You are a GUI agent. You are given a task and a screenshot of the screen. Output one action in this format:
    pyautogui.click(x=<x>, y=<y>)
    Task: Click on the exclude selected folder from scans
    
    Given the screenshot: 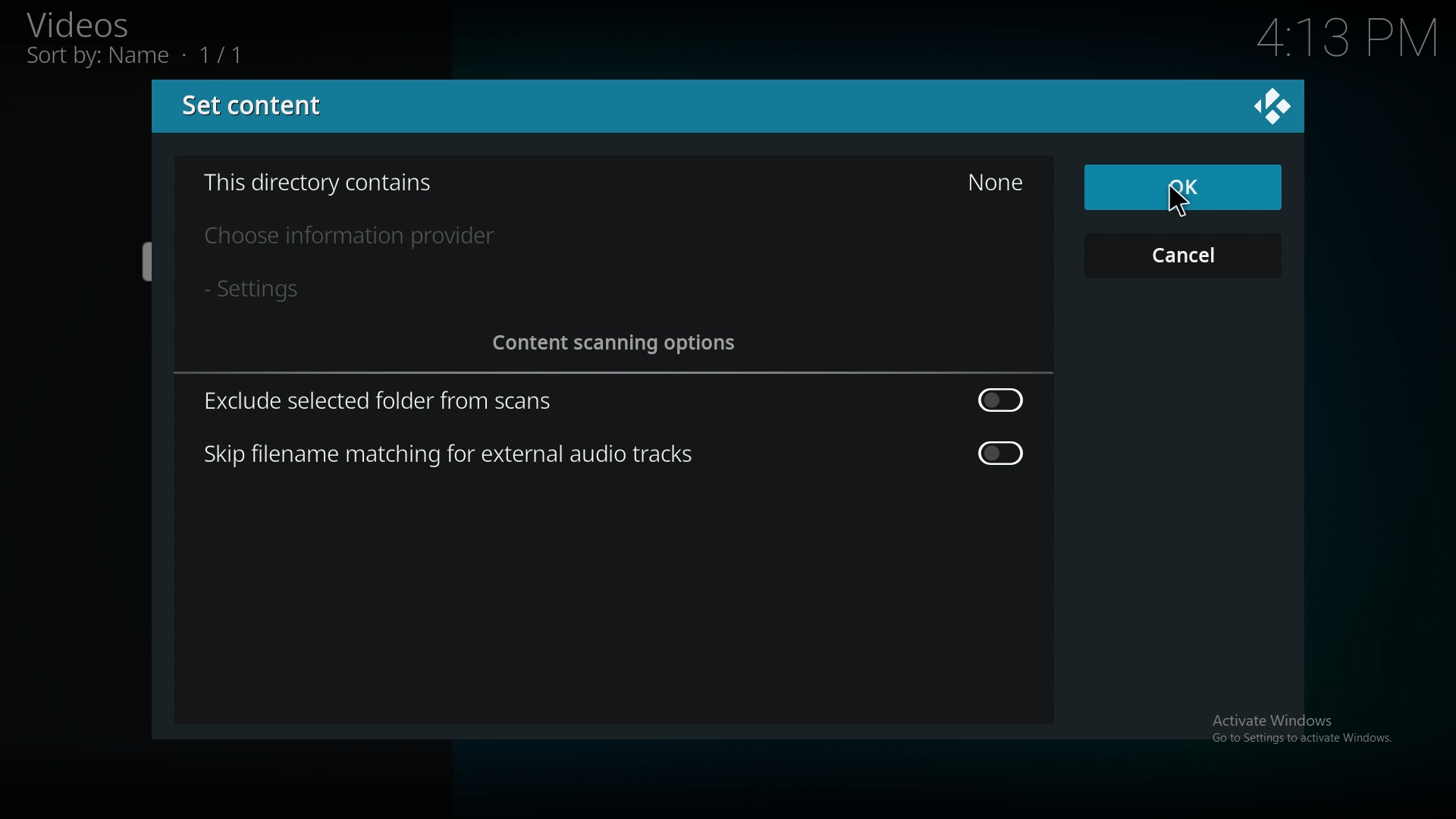 What is the action you would take?
    pyautogui.click(x=389, y=402)
    